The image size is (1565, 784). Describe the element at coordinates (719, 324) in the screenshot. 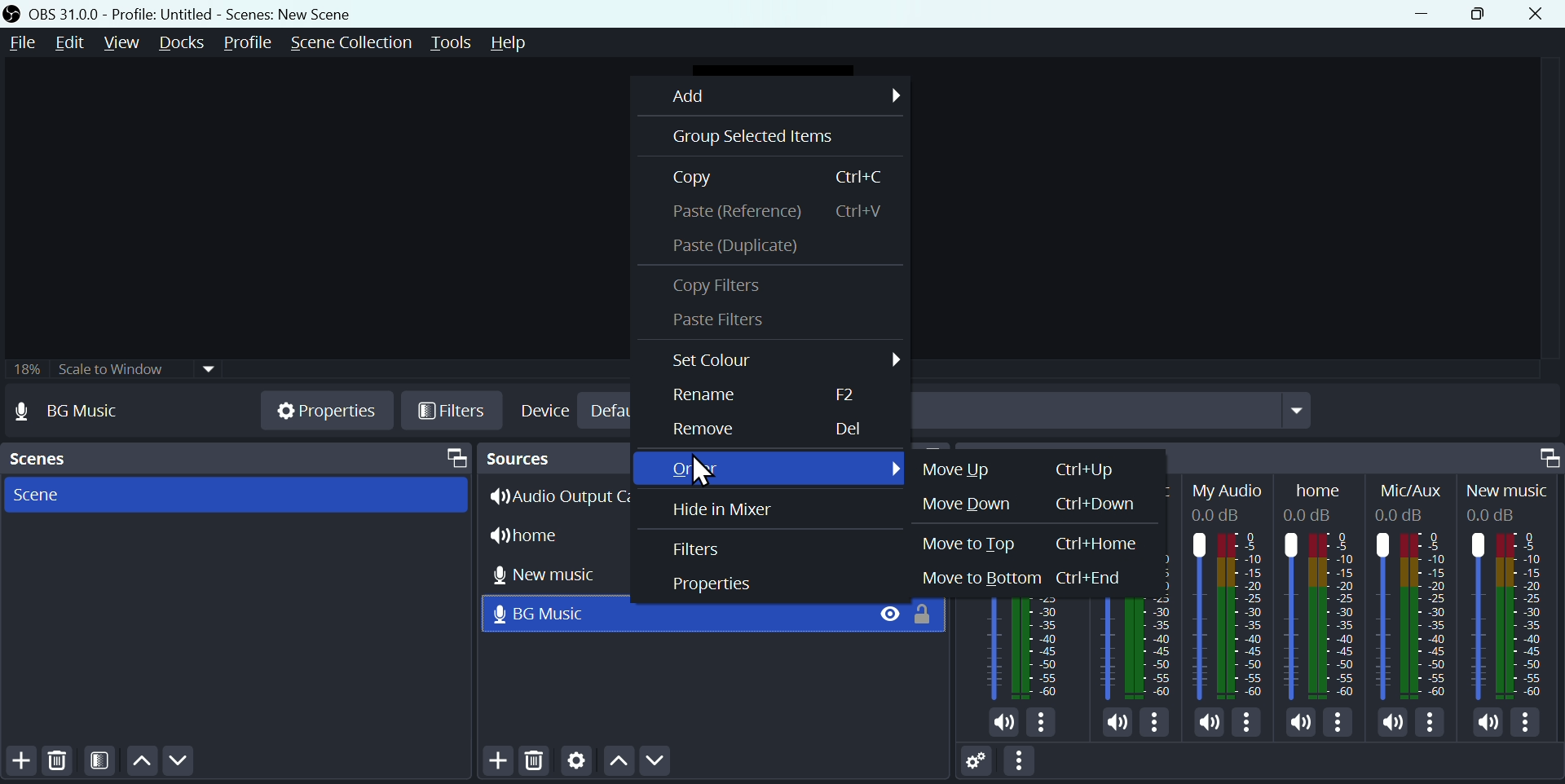

I see `Paste filter` at that location.